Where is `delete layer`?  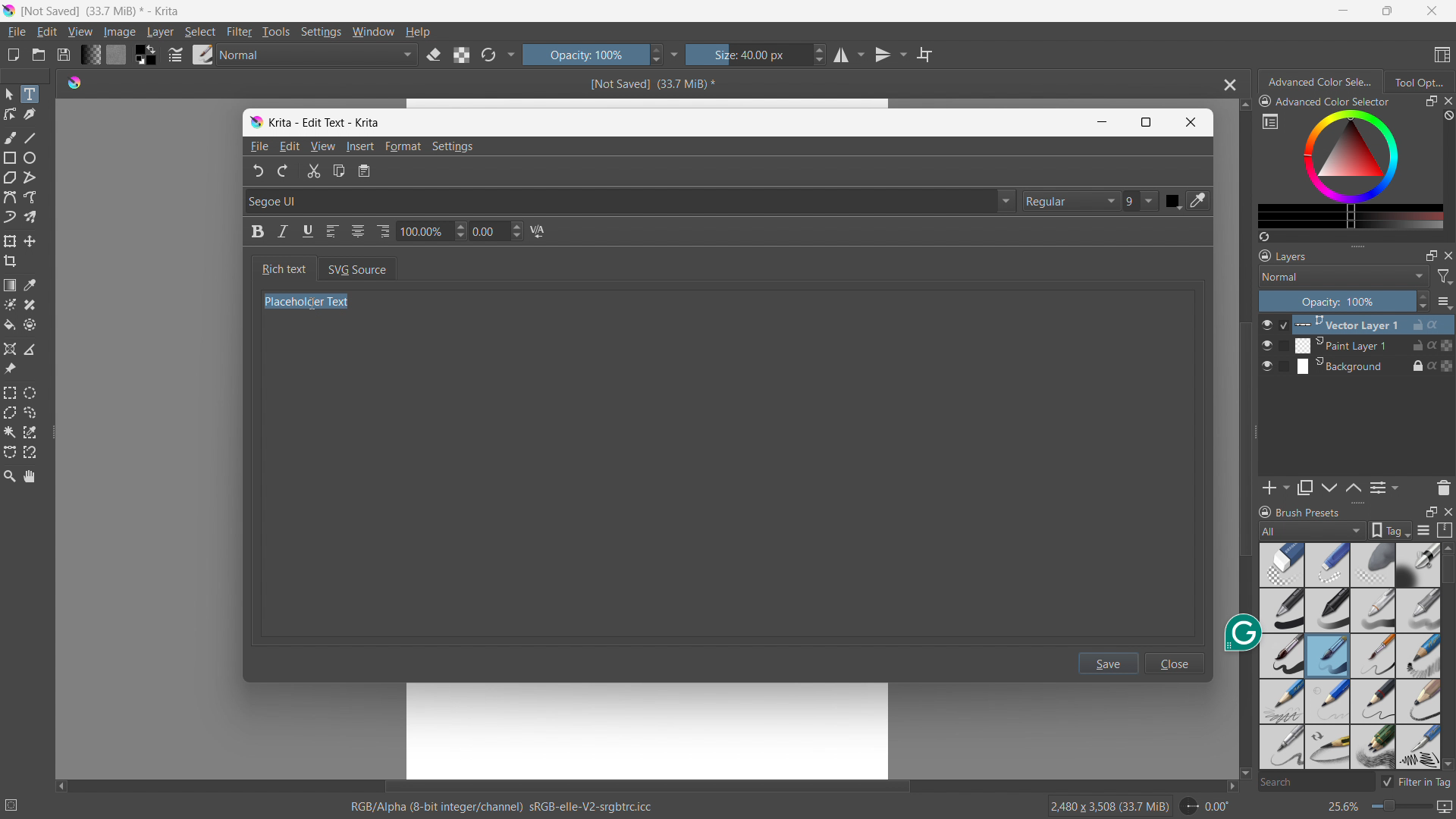 delete layer is located at coordinates (1443, 487).